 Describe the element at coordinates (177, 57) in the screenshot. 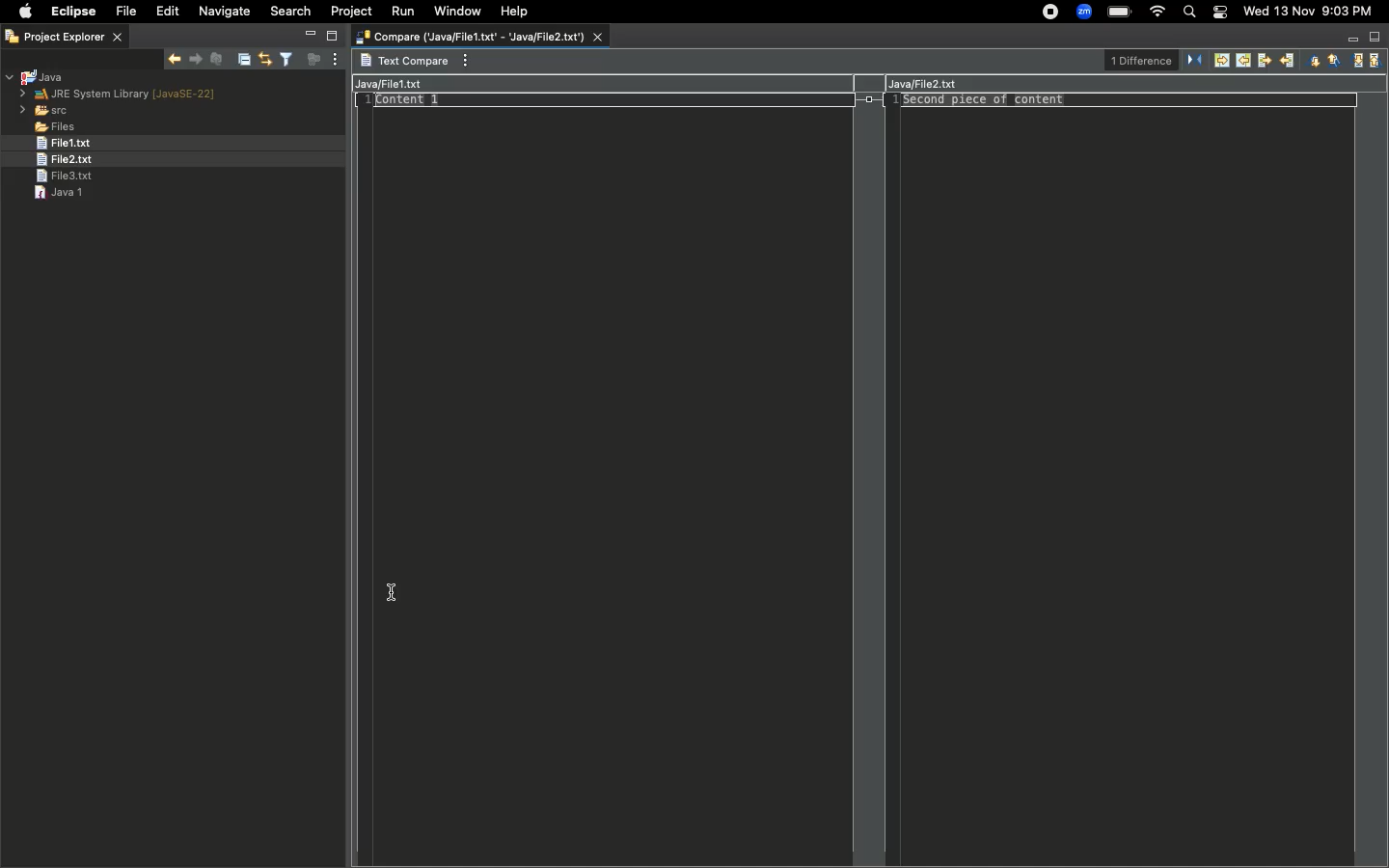

I see `Show next match` at that location.